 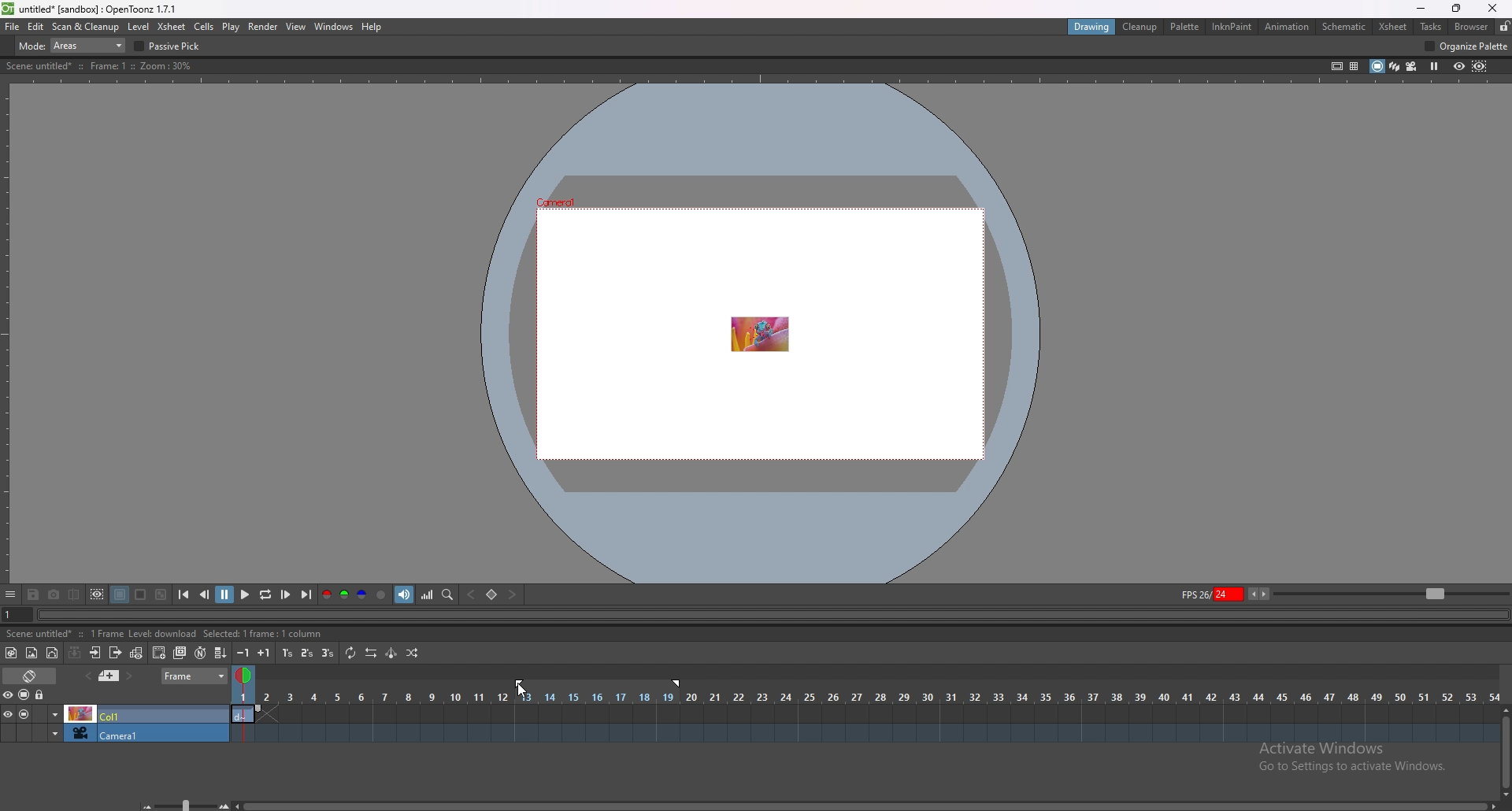 What do you see at coordinates (1504, 26) in the screenshot?
I see `lock` at bounding box center [1504, 26].